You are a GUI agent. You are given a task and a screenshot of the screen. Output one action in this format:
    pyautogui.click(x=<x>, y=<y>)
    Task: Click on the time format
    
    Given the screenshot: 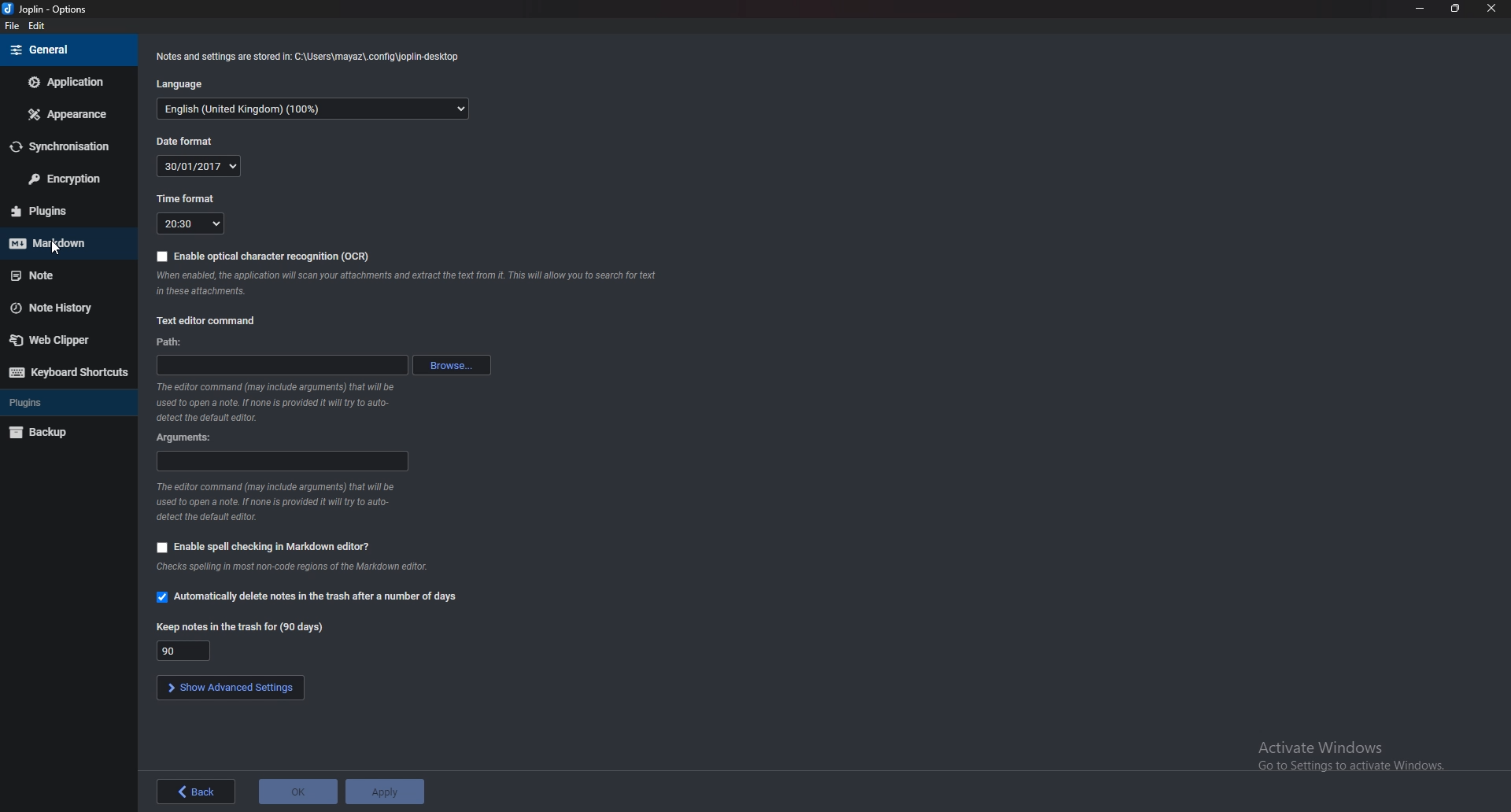 What is the action you would take?
    pyautogui.click(x=189, y=199)
    